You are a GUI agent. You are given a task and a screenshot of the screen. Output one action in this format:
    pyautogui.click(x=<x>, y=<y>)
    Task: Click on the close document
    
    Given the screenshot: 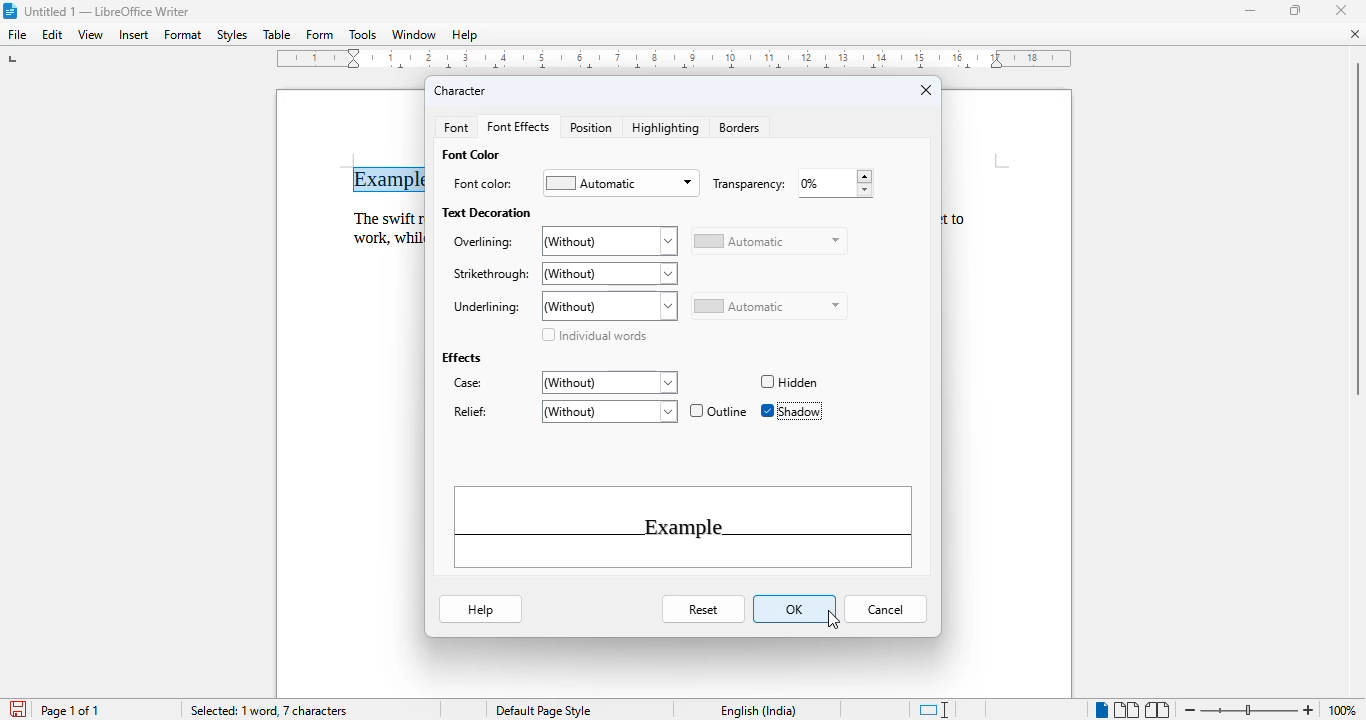 What is the action you would take?
    pyautogui.click(x=1356, y=34)
    